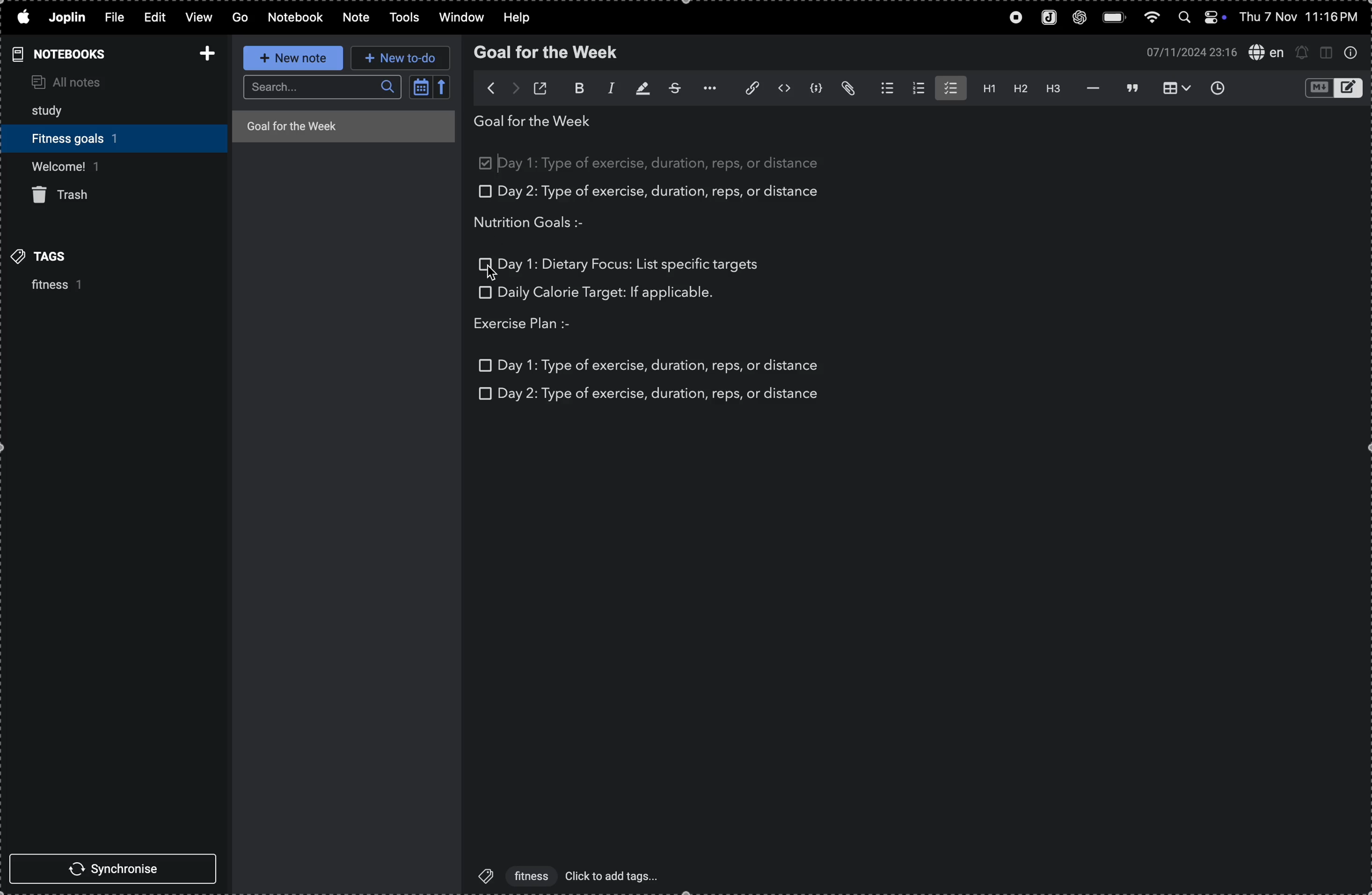  Describe the element at coordinates (199, 17) in the screenshot. I see `view` at that location.